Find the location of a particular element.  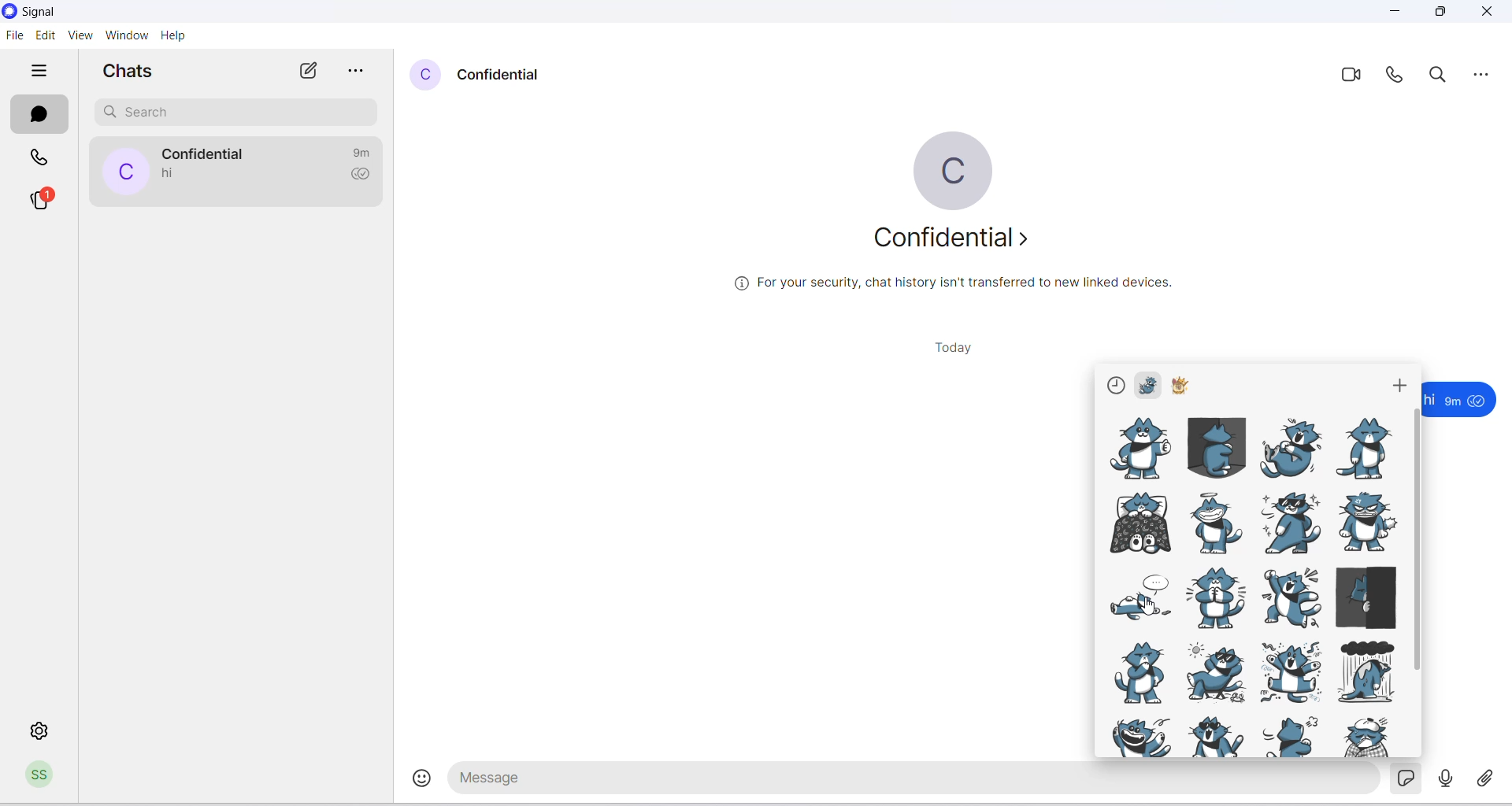

add more is located at coordinates (1401, 381).